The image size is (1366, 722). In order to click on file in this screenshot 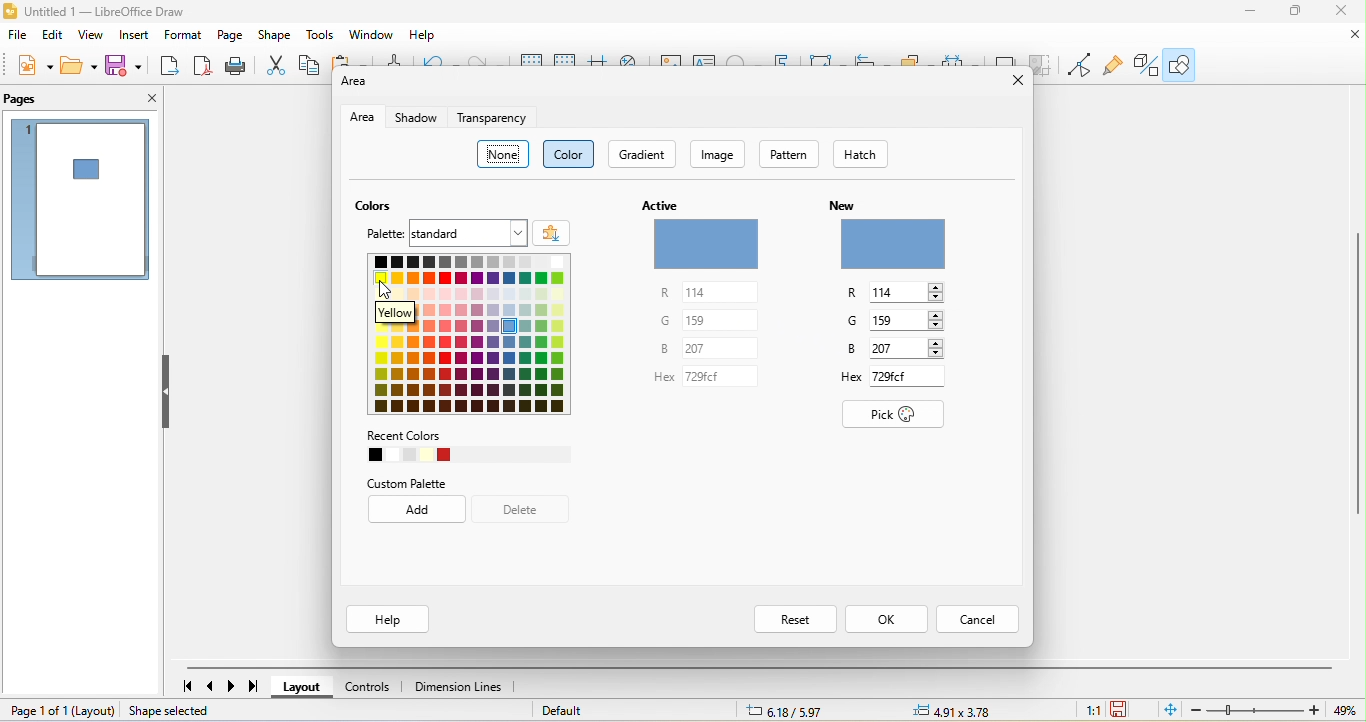, I will do `click(20, 36)`.